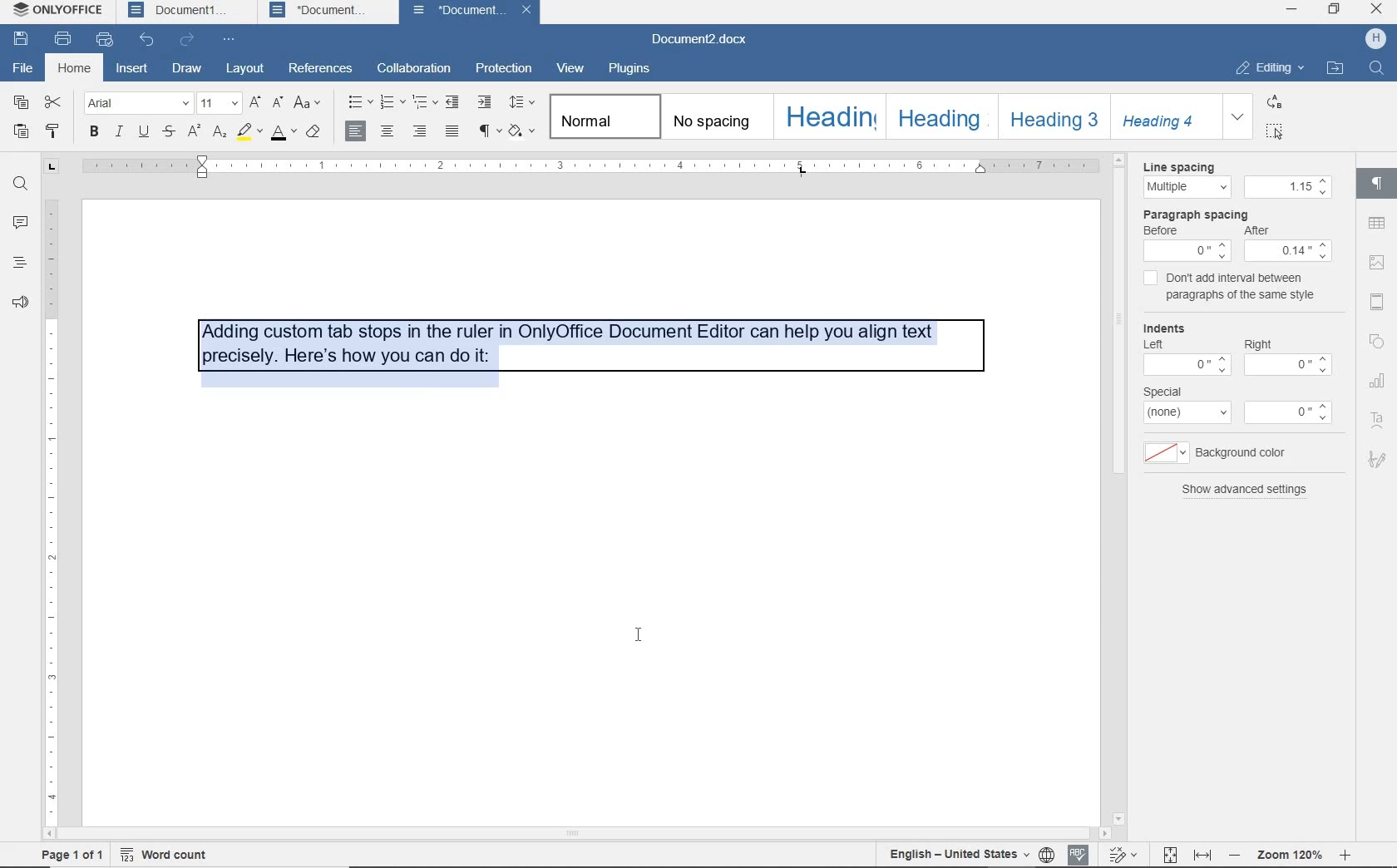 The image size is (1397, 868). What do you see at coordinates (249, 133) in the screenshot?
I see `highlight color` at bounding box center [249, 133].